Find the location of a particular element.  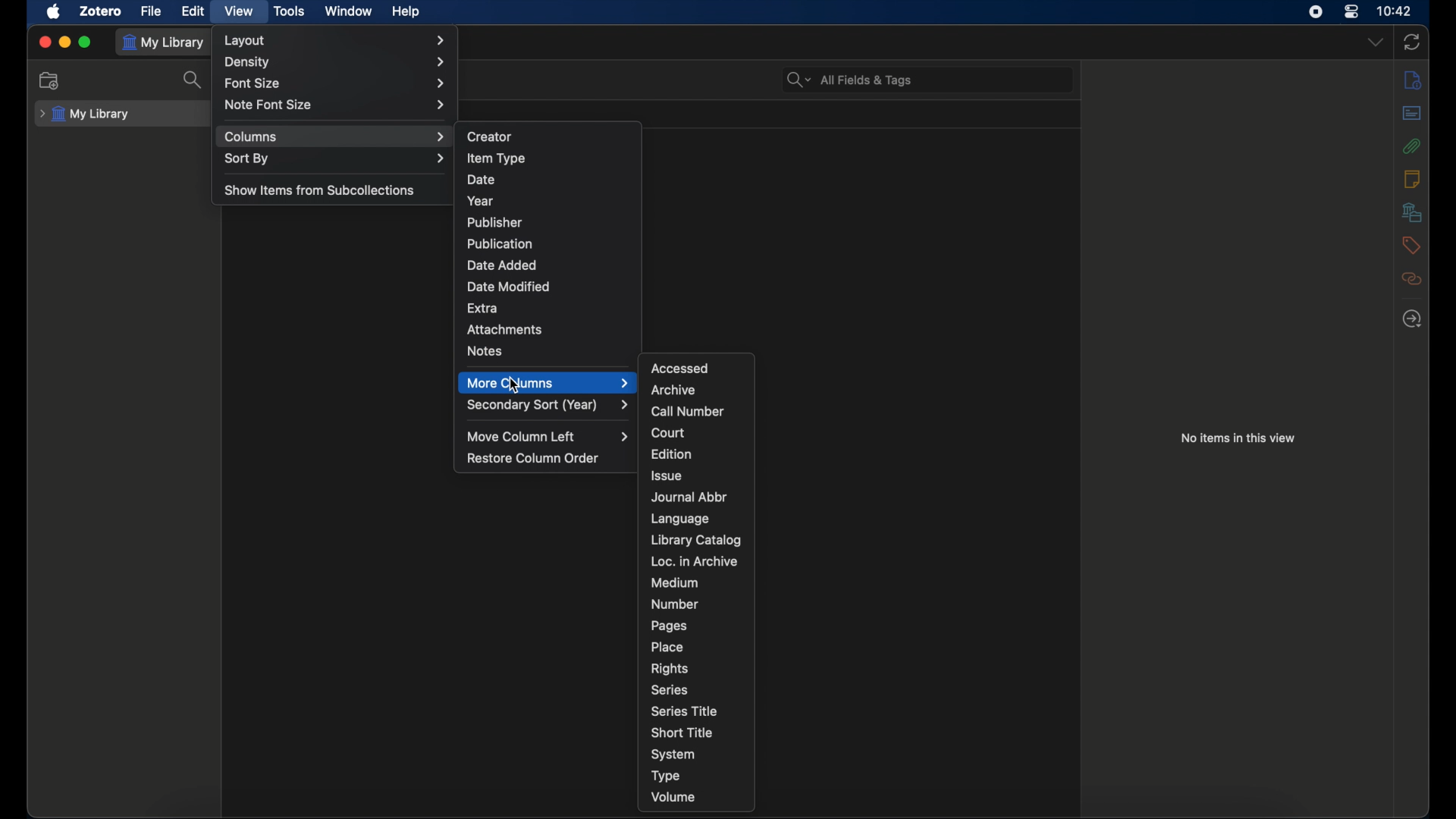

place is located at coordinates (667, 647).